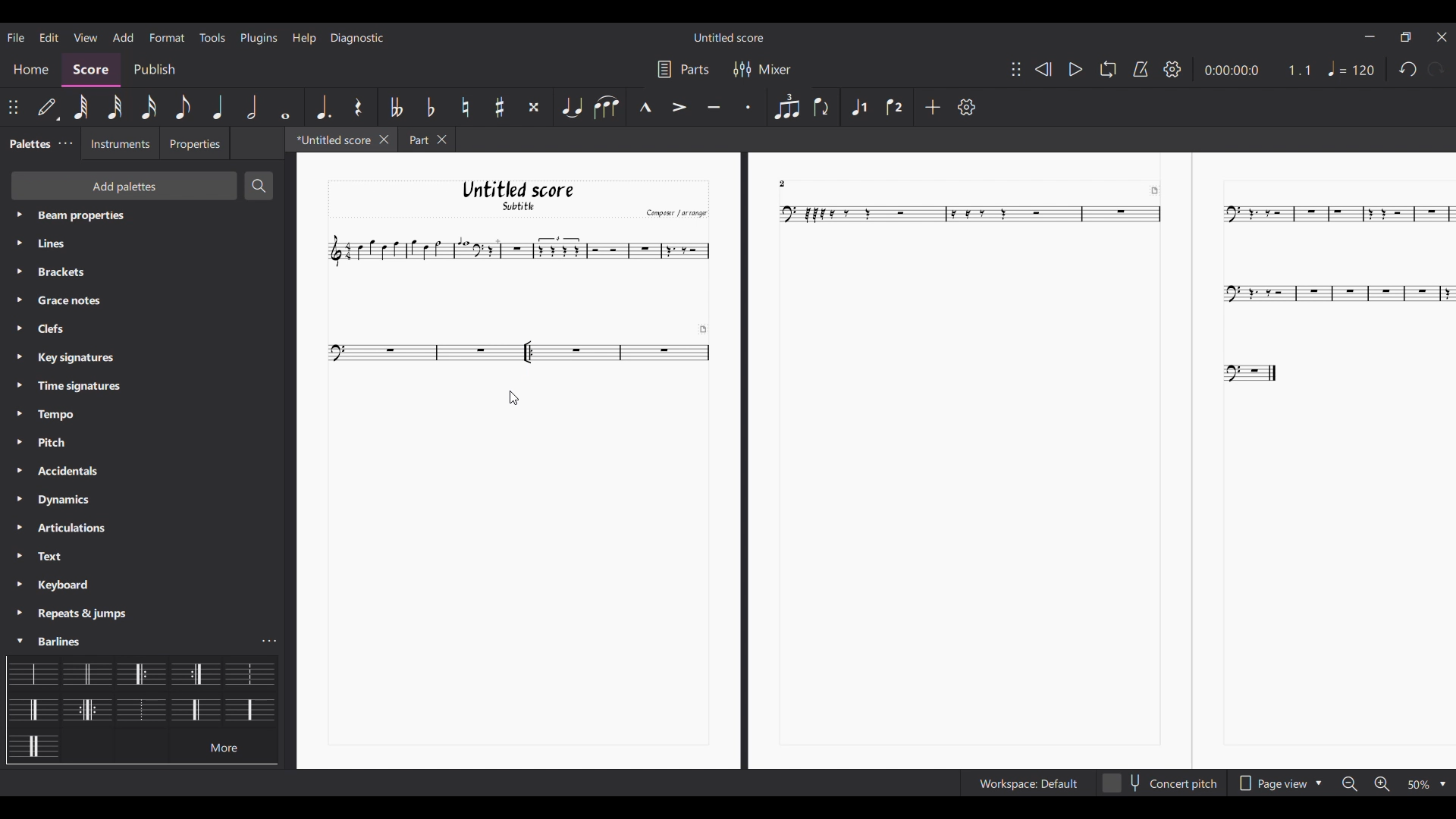 The width and height of the screenshot is (1456, 819). Describe the element at coordinates (426, 140) in the screenshot. I see `Other tab` at that location.